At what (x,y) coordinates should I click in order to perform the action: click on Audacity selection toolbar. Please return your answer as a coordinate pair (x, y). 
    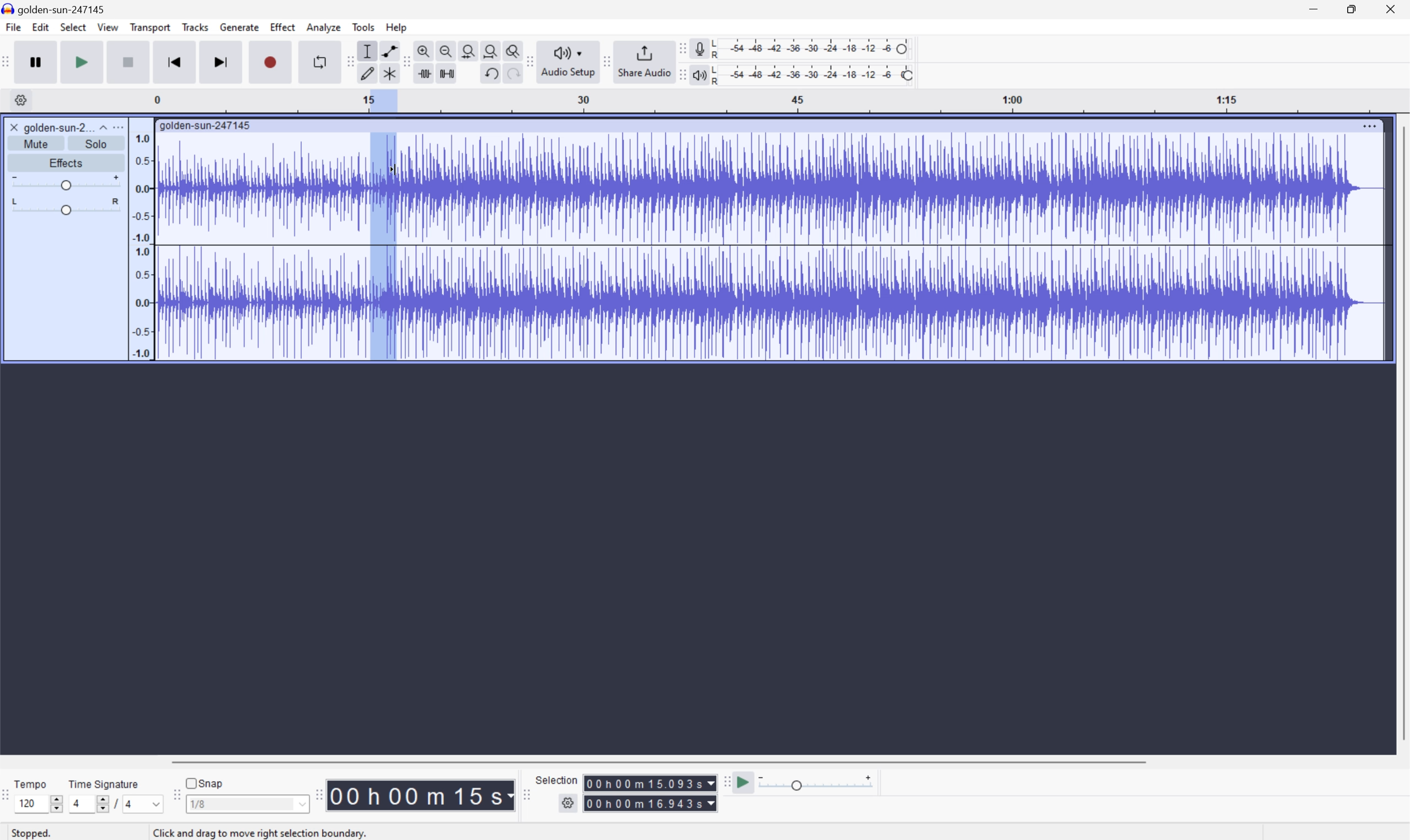
    Looking at the image, I should click on (526, 798).